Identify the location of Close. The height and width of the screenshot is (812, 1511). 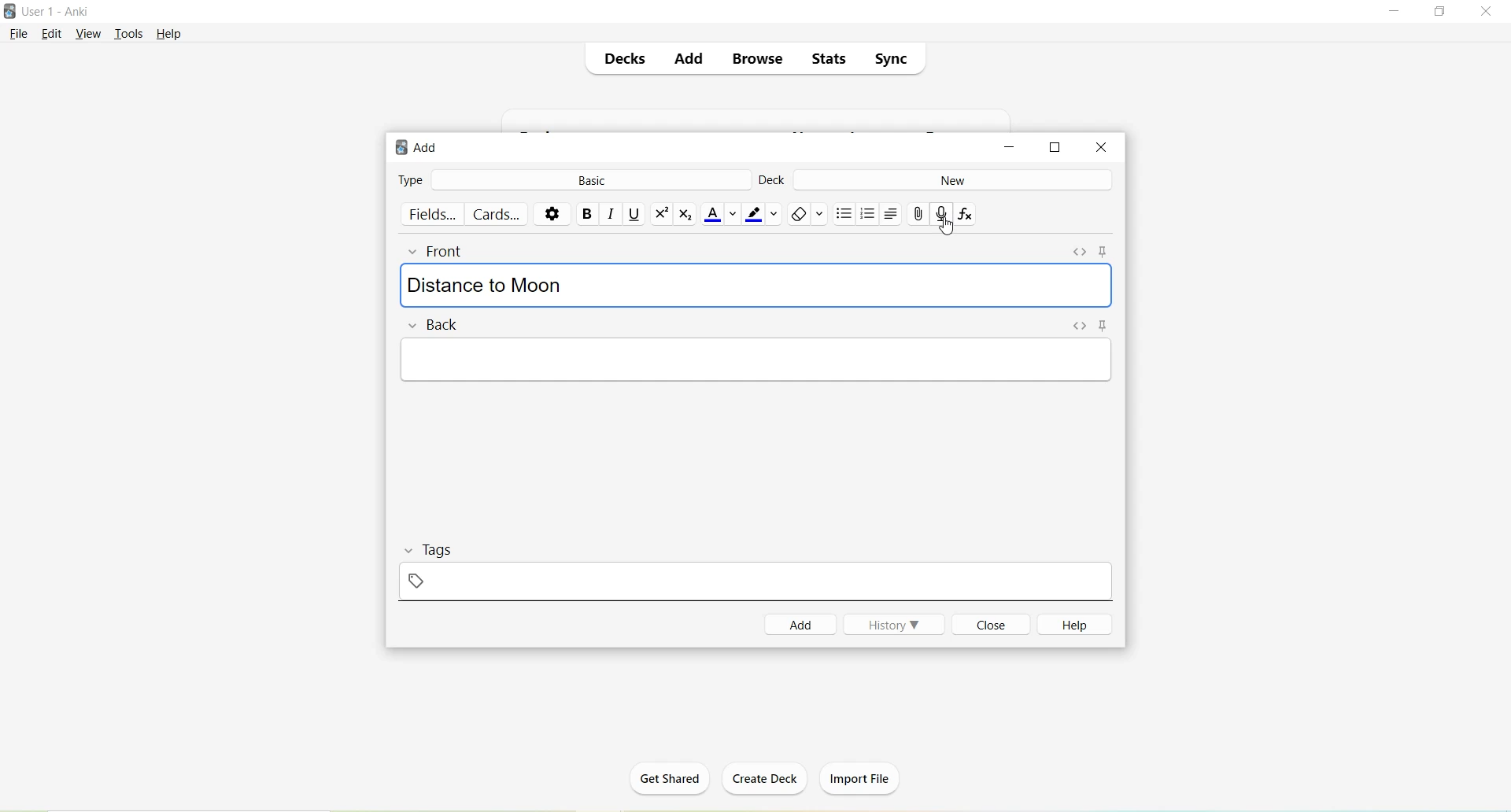
(988, 624).